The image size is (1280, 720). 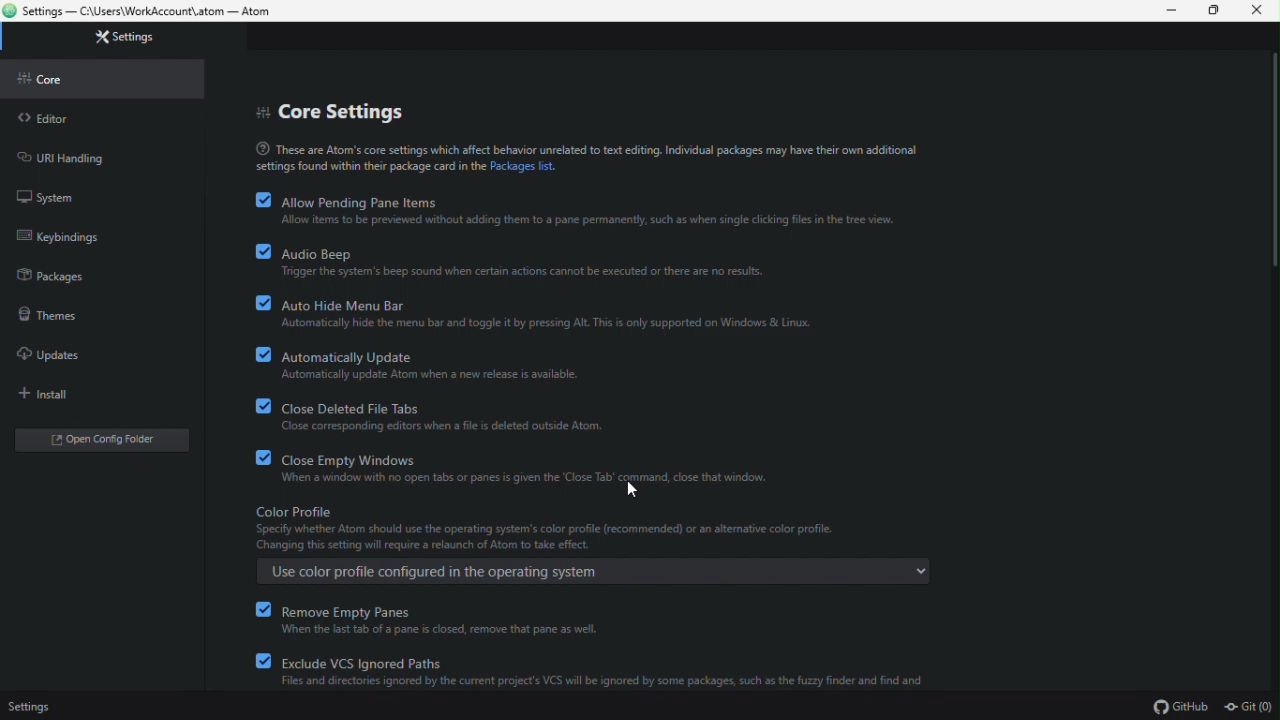 What do you see at coordinates (261, 459) in the screenshot?
I see `checkbox ` at bounding box center [261, 459].